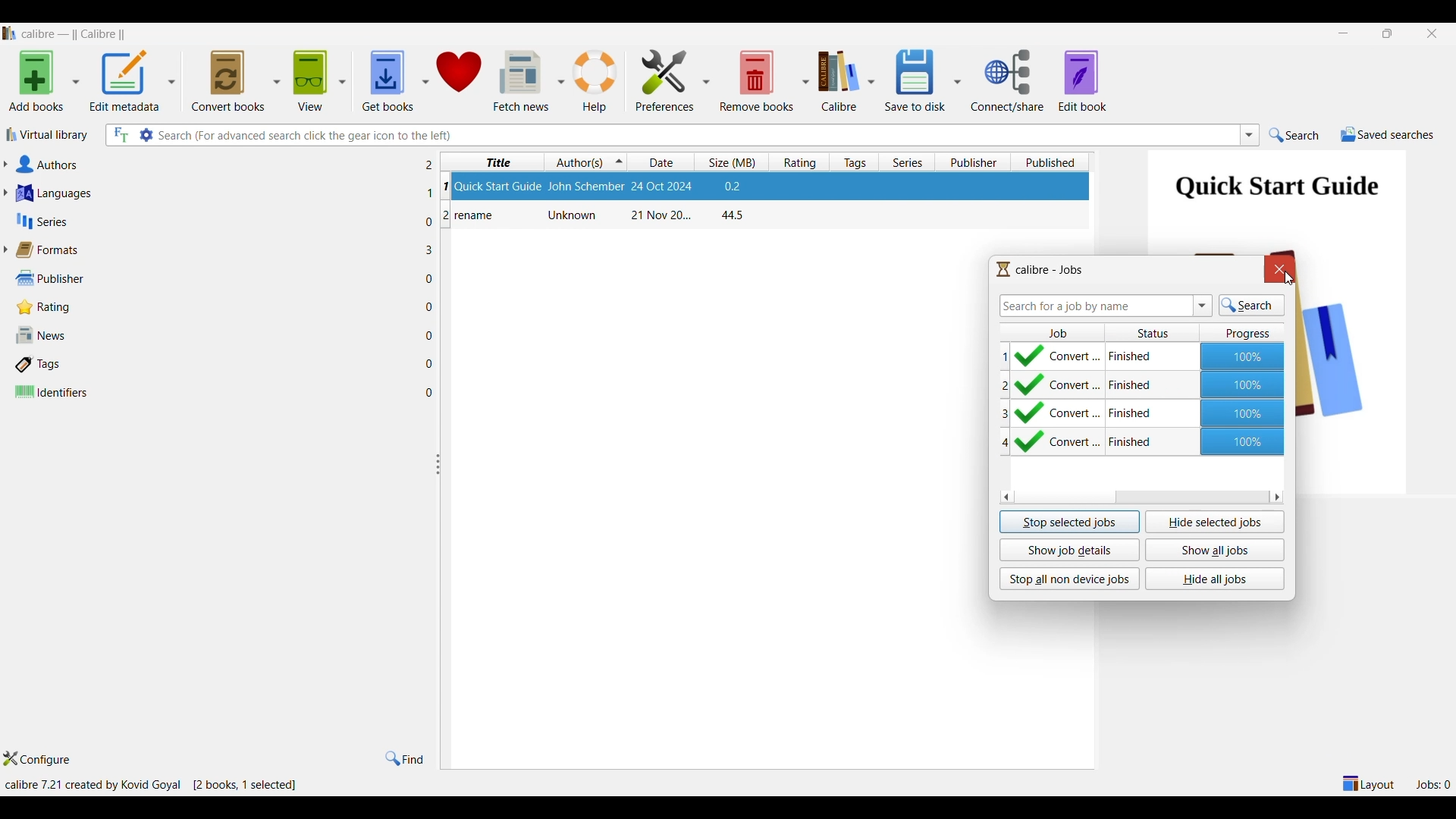 The height and width of the screenshot is (819, 1456). What do you see at coordinates (78, 34) in the screenshot?
I see `Software name` at bounding box center [78, 34].